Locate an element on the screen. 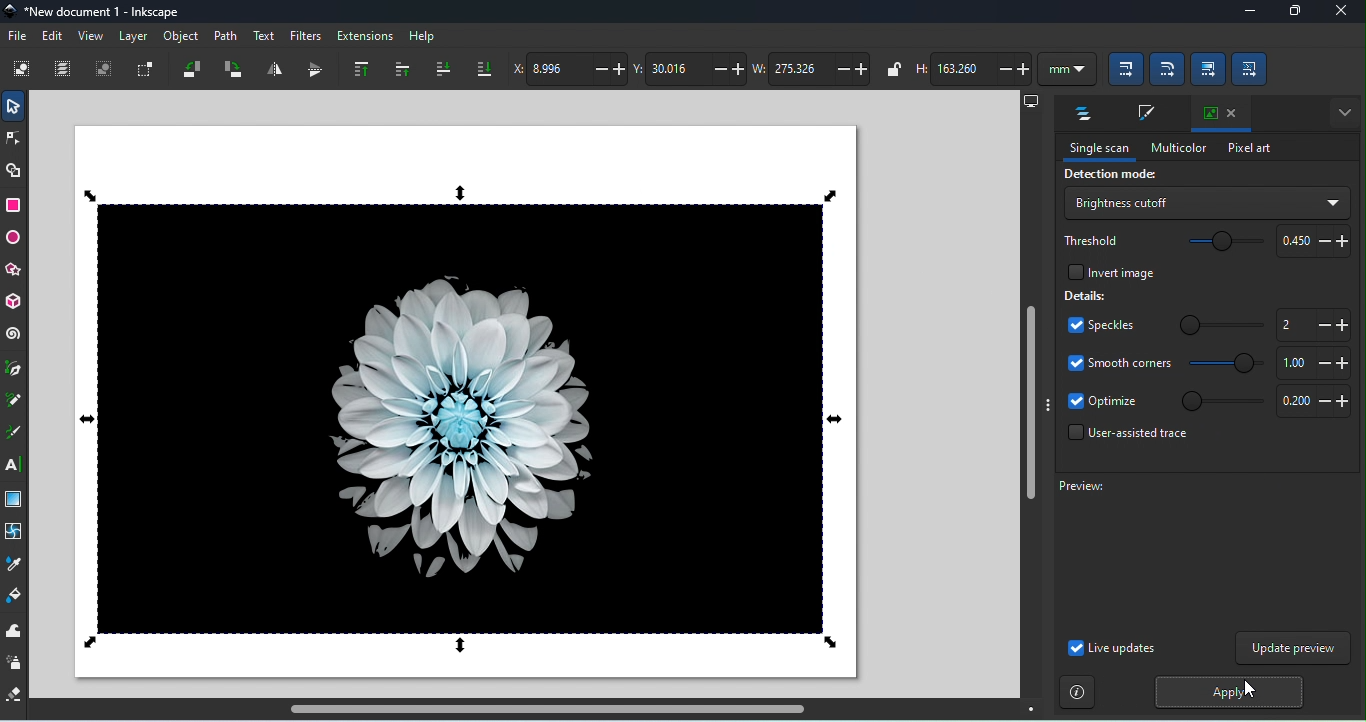 This screenshot has height=722, width=1366. Object is located at coordinates (181, 38).